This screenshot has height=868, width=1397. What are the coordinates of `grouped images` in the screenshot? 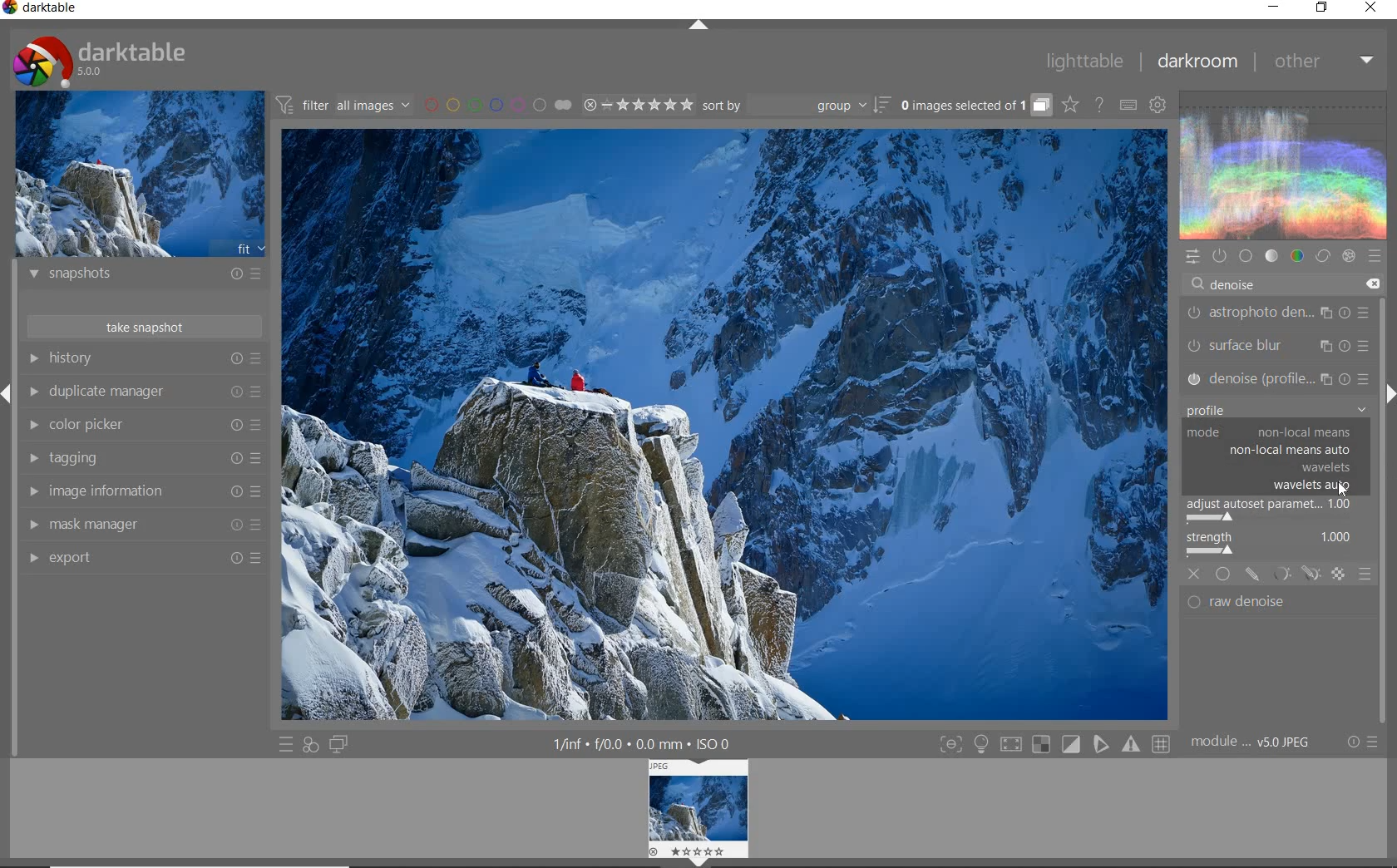 It's located at (975, 105).